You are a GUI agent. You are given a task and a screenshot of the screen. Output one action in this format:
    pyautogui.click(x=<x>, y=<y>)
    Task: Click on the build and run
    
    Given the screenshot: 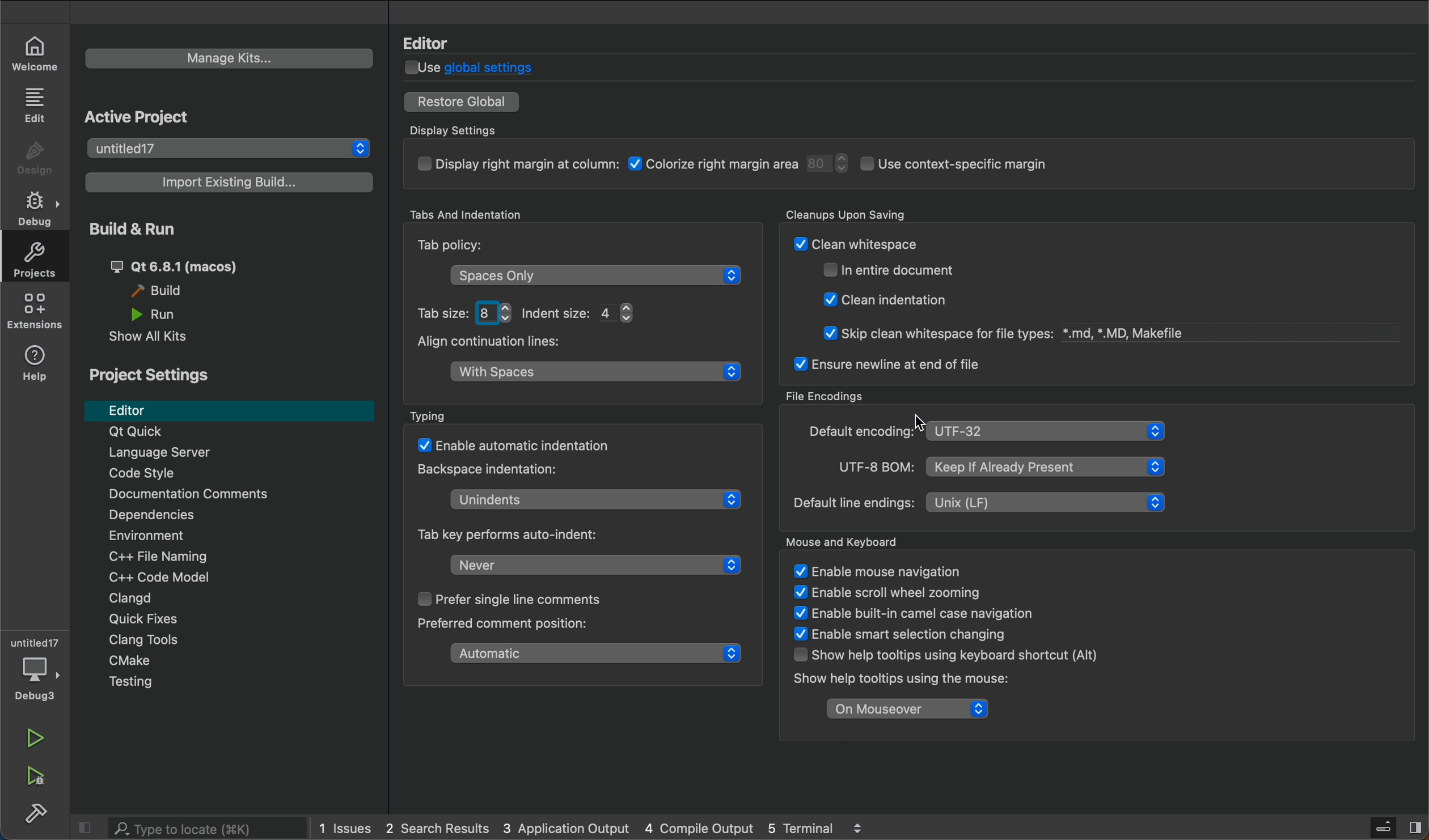 What is the action you would take?
    pyautogui.click(x=230, y=266)
    